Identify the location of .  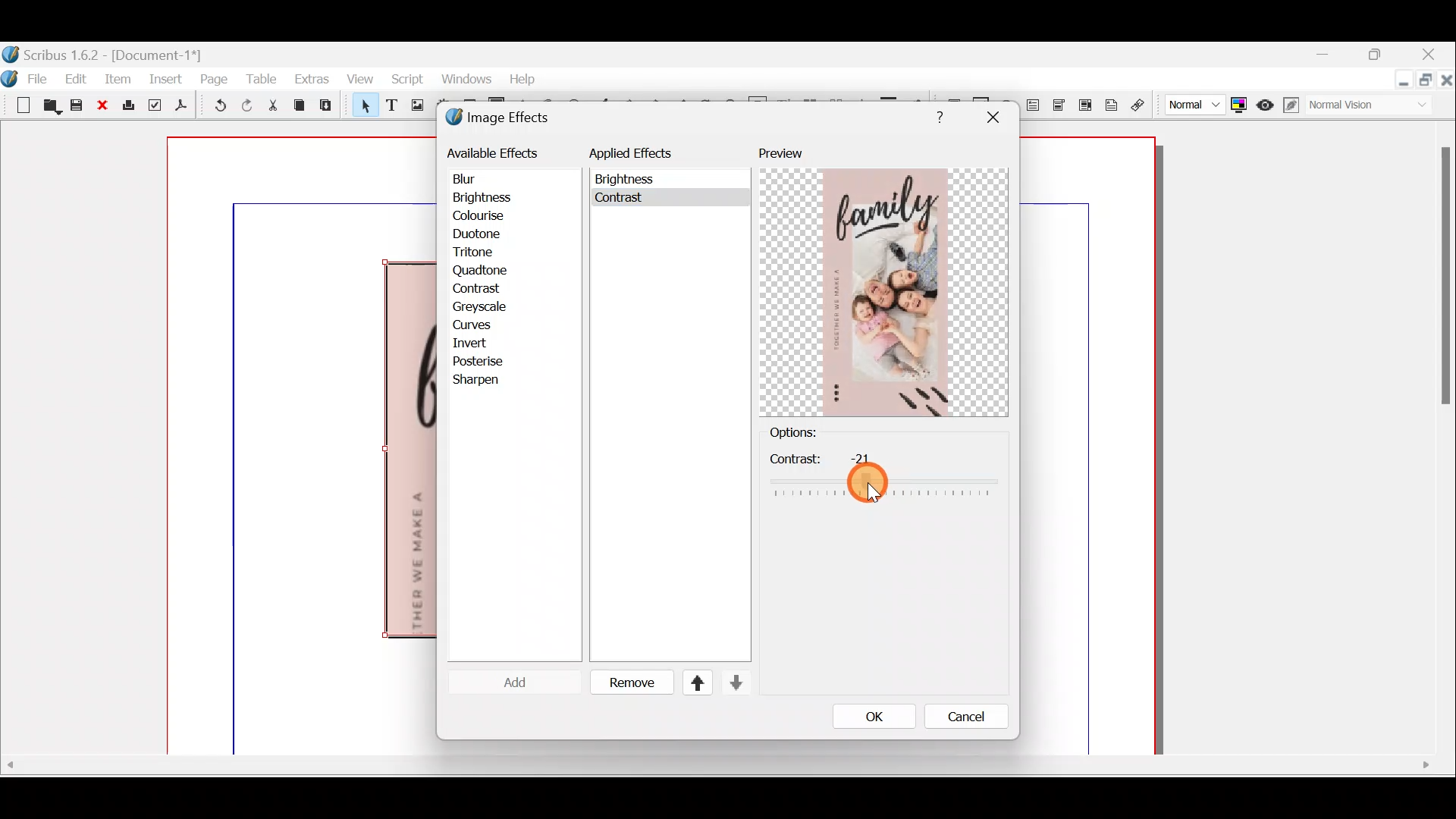
(992, 118).